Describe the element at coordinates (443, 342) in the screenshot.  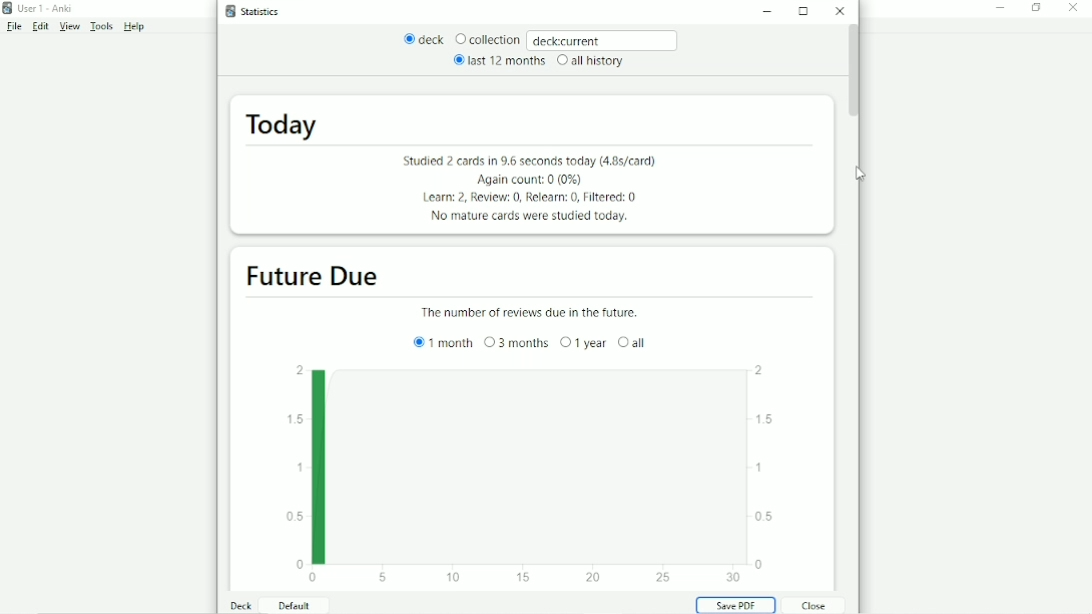
I see `1 month` at that location.